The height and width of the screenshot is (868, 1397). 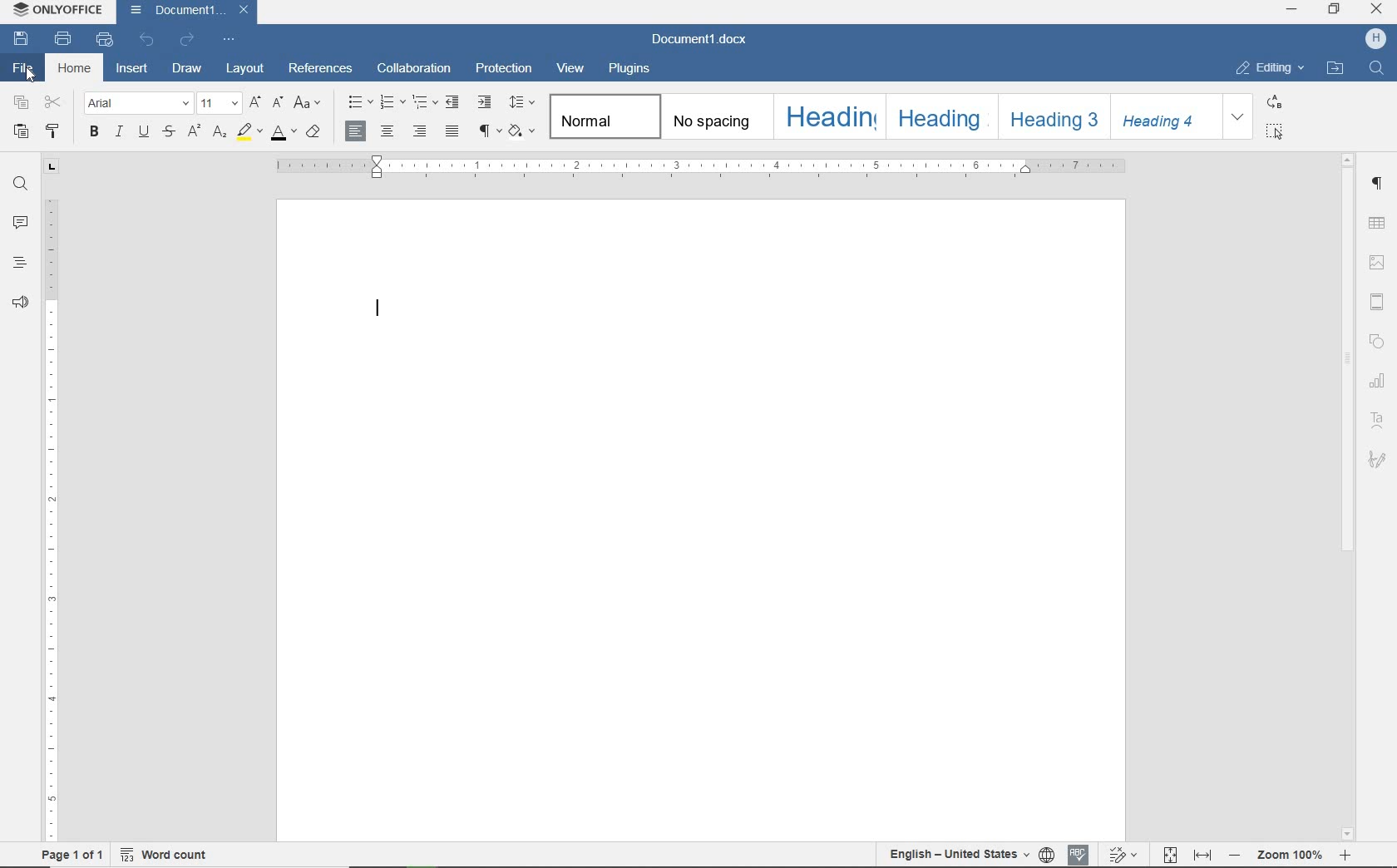 What do you see at coordinates (22, 103) in the screenshot?
I see `copy` at bounding box center [22, 103].